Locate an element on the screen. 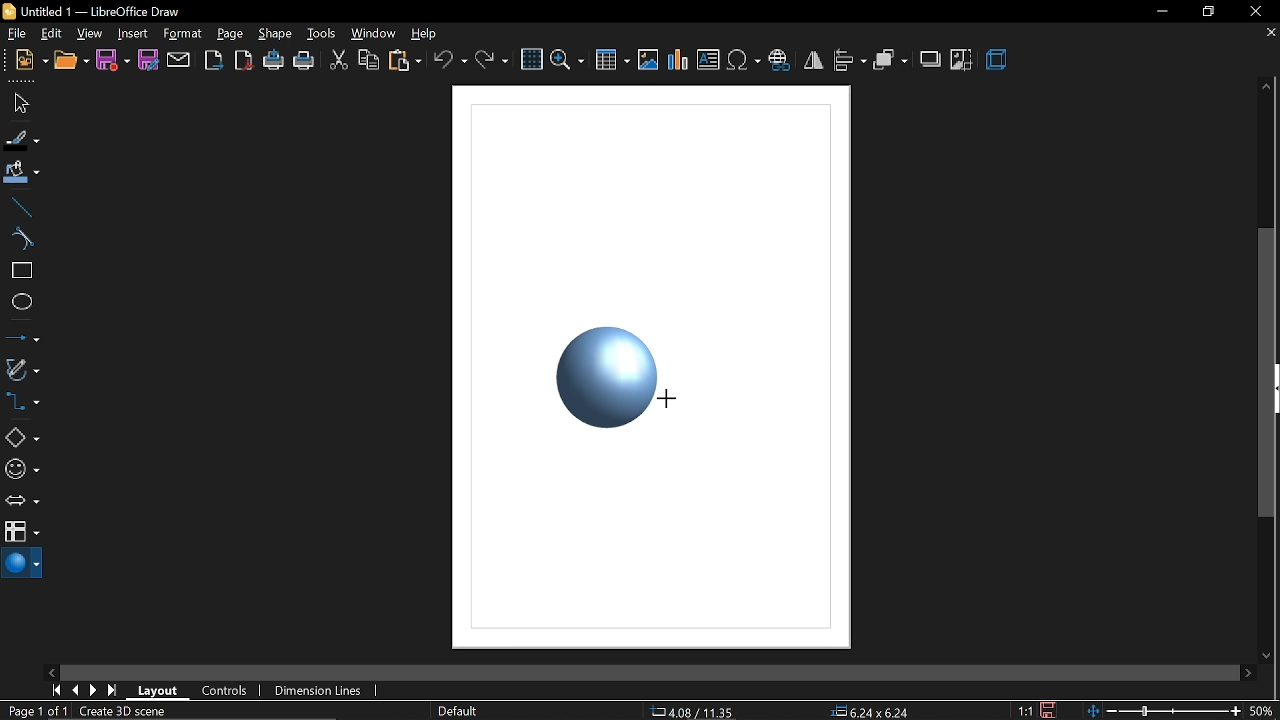  file is located at coordinates (15, 33).